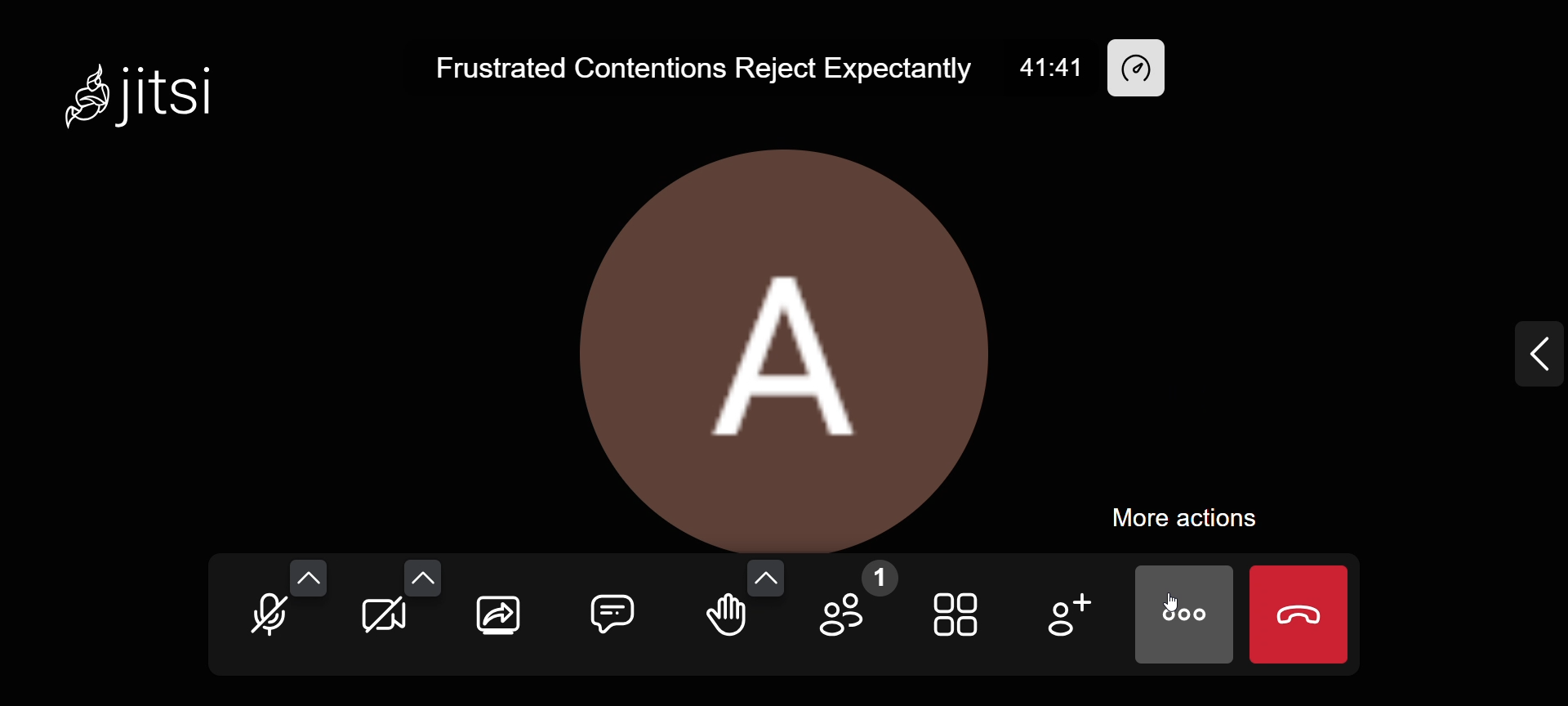 The image size is (1568, 706). What do you see at coordinates (1192, 516) in the screenshot?
I see `more actions` at bounding box center [1192, 516].